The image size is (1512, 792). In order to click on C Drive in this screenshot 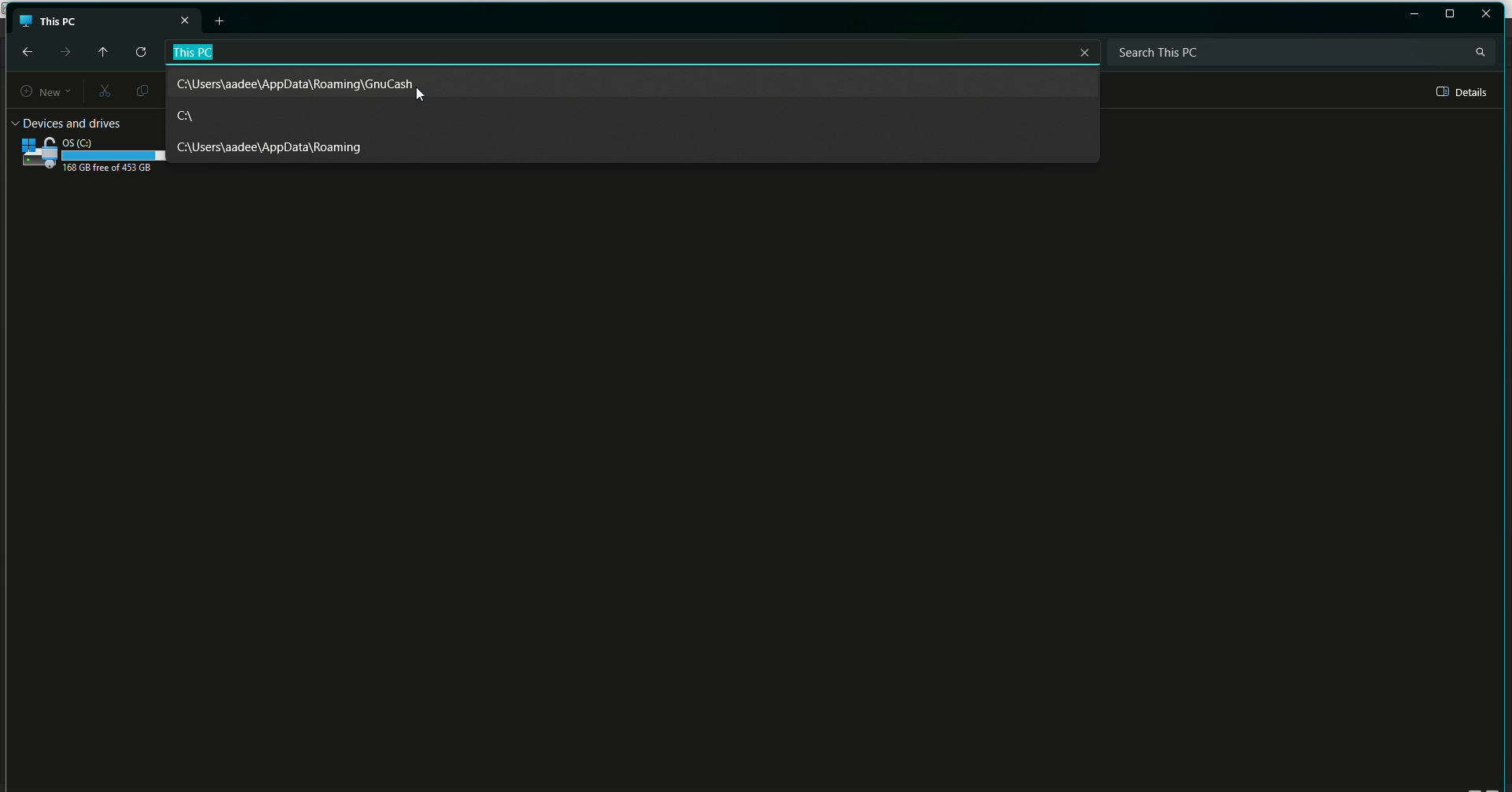, I will do `click(192, 117)`.